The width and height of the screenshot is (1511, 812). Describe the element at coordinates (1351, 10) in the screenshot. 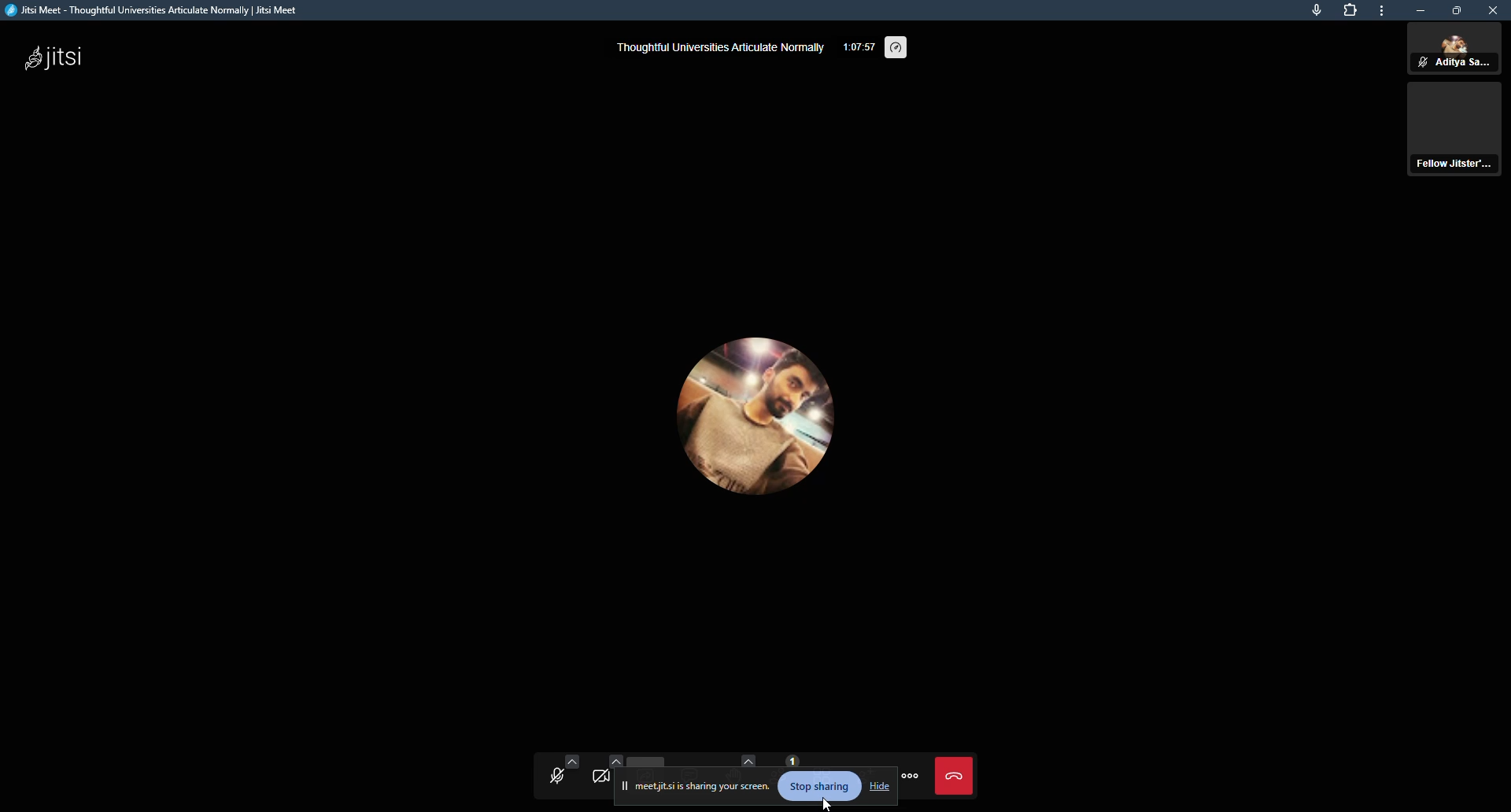

I see `extensions` at that location.